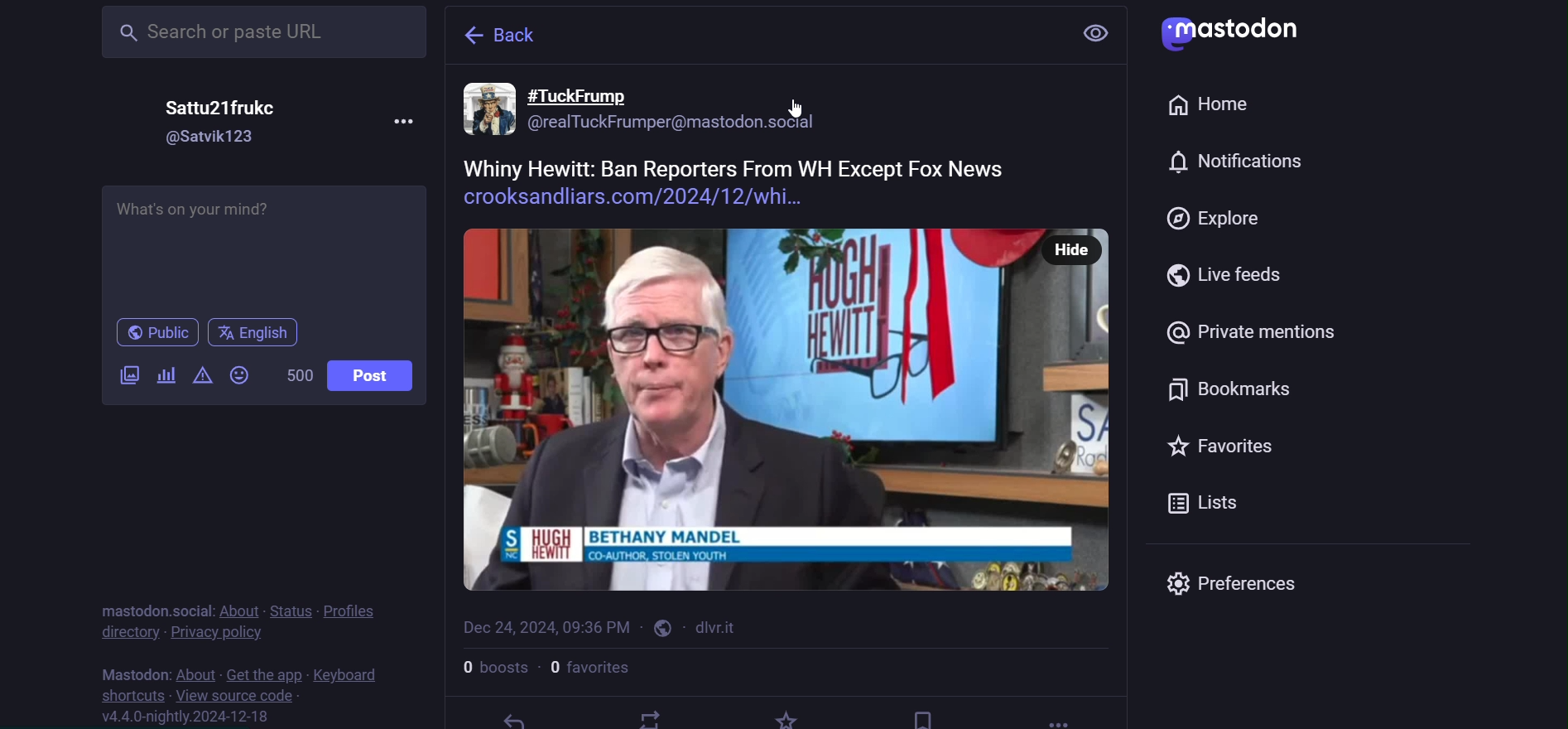 The image size is (1568, 729). I want to click on post, so click(375, 374).